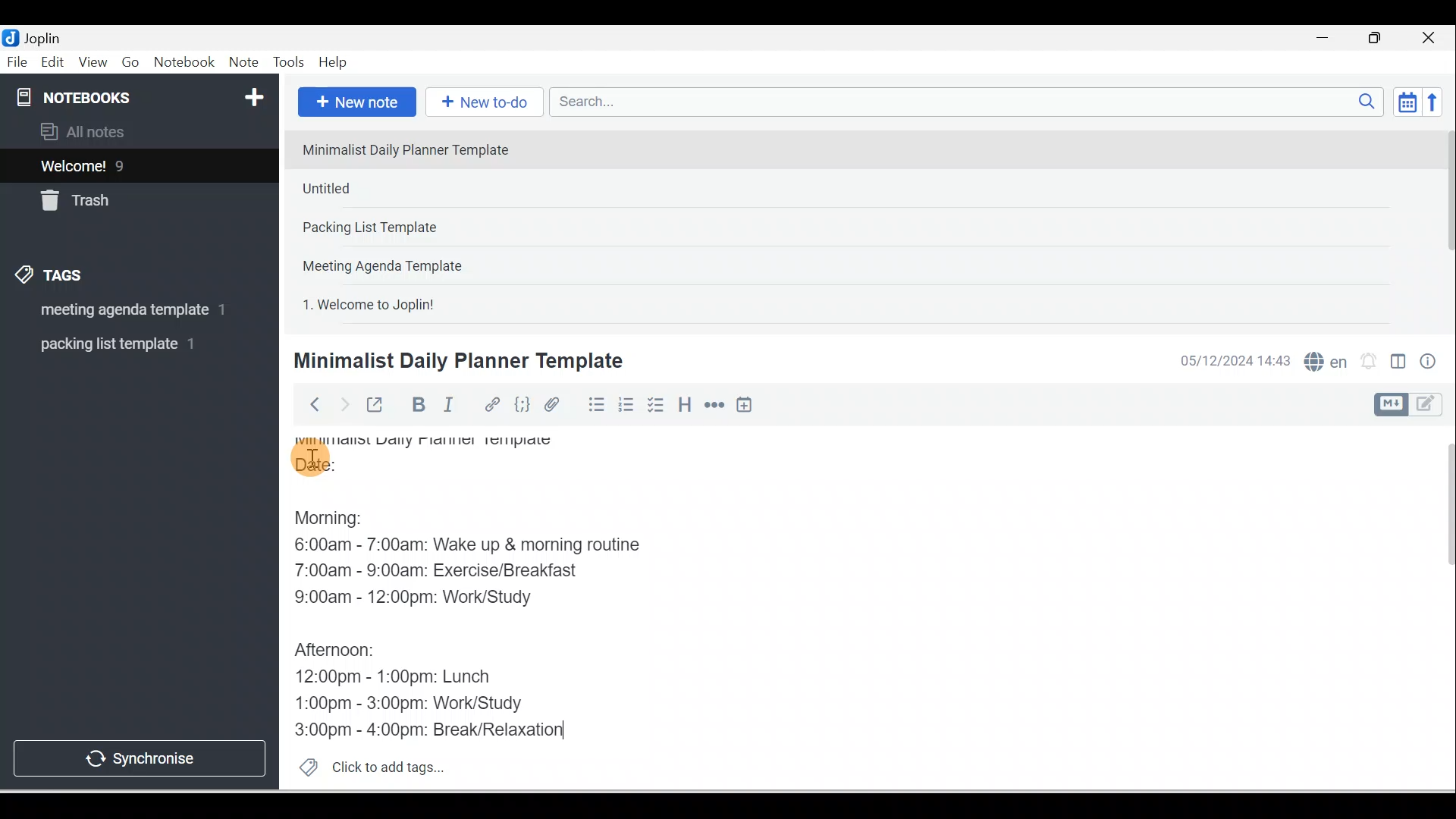 The height and width of the screenshot is (819, 1456). What do you see at coordinates (416, 405) in the screenshot?
I see `Bold` at bounding box center [416, 405].